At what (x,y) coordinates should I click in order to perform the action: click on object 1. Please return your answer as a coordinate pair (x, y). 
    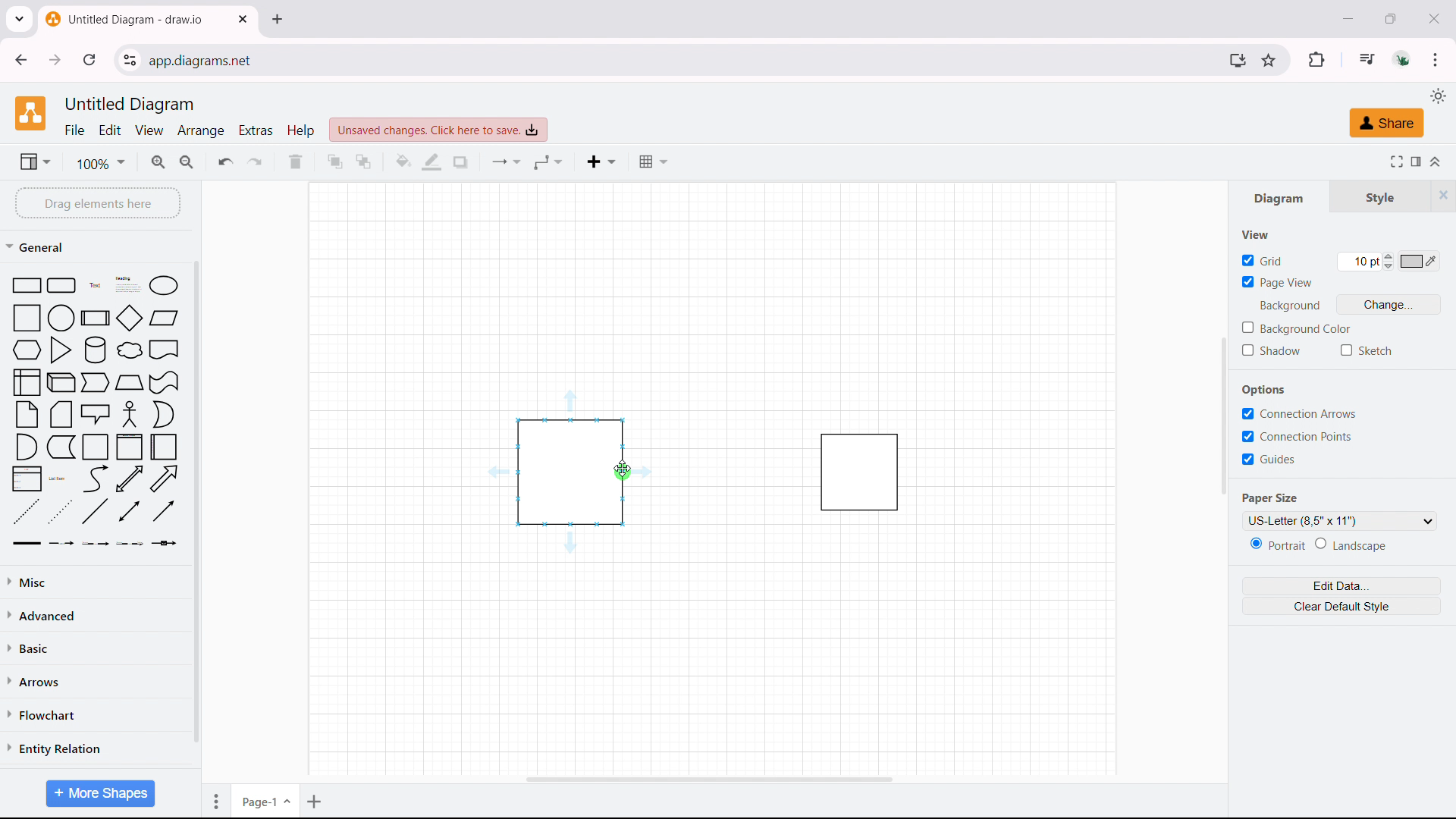
    Looking at the image, I should click on (569, 471).